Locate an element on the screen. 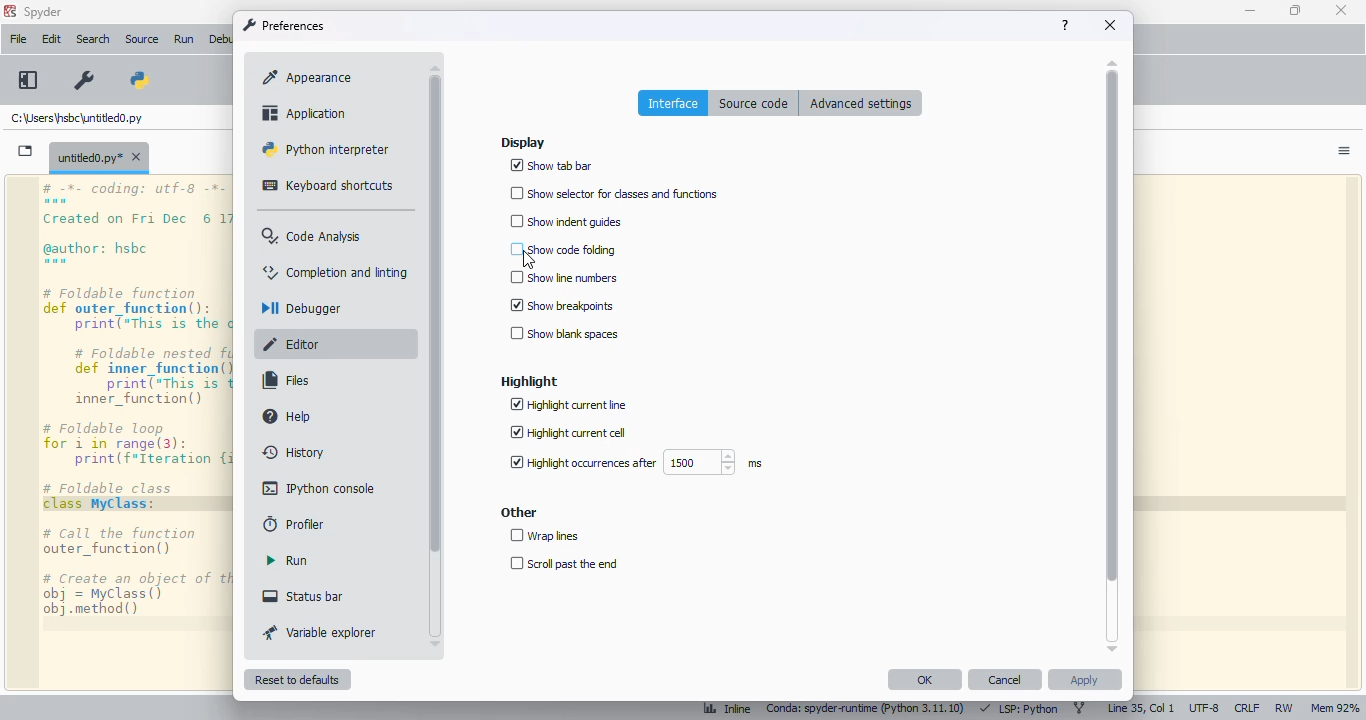  cancel is located at coordinates (1006, 679).